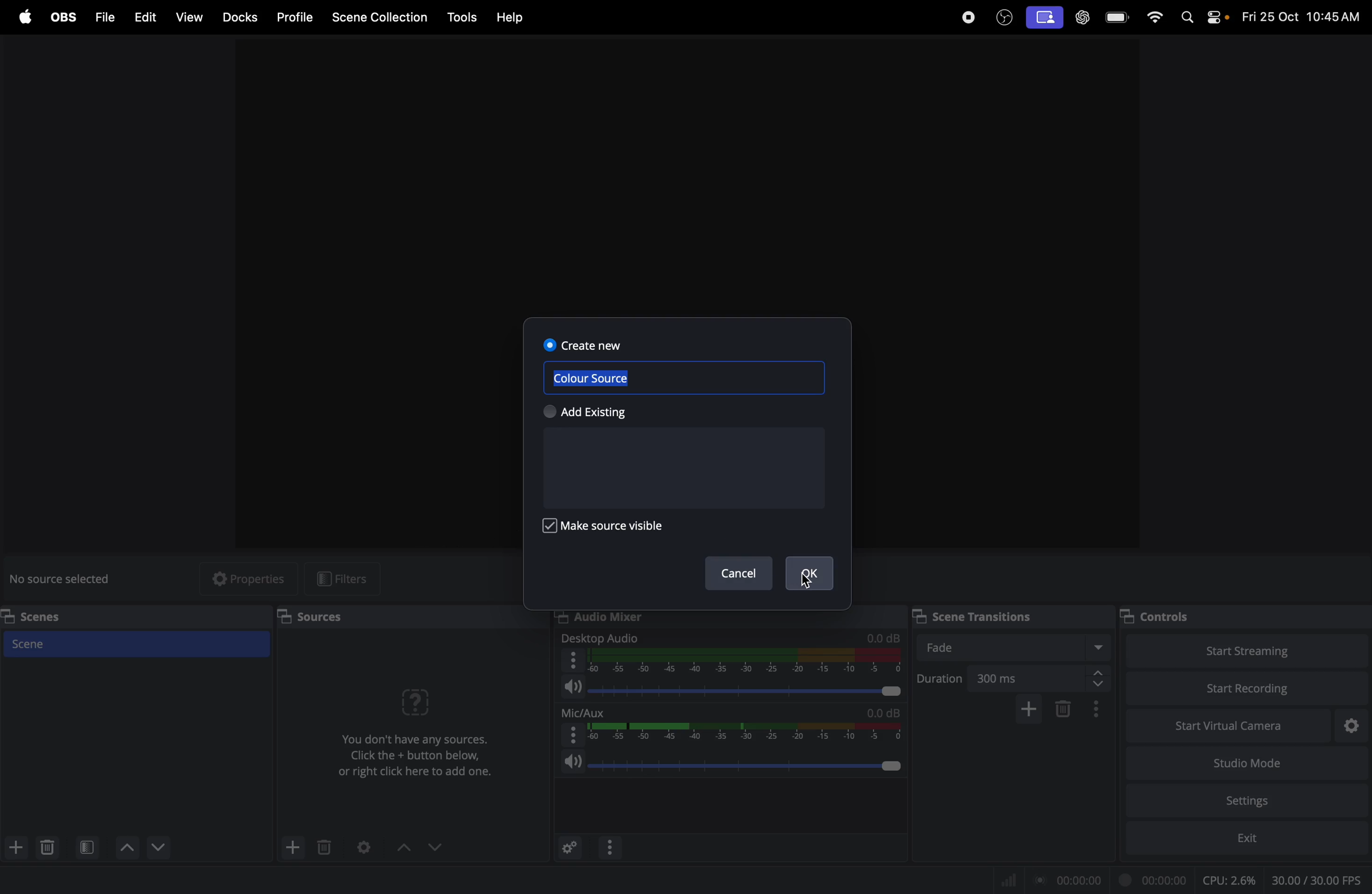 This screenshot has width=1372, height=894. I want to click on range select, so click(740, 731).